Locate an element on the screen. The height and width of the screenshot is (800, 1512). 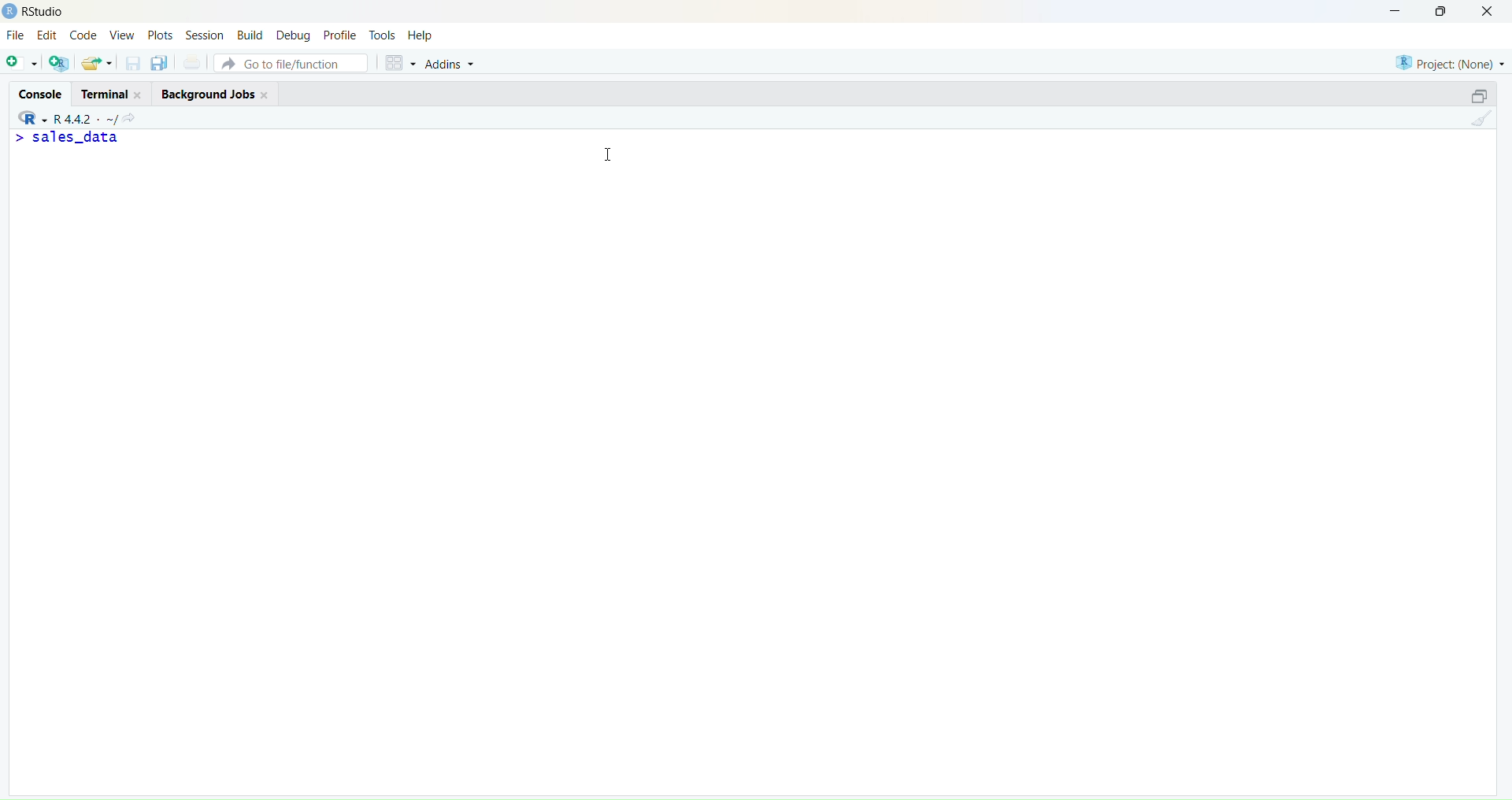
maximise is located at coordinates (1444, 11).